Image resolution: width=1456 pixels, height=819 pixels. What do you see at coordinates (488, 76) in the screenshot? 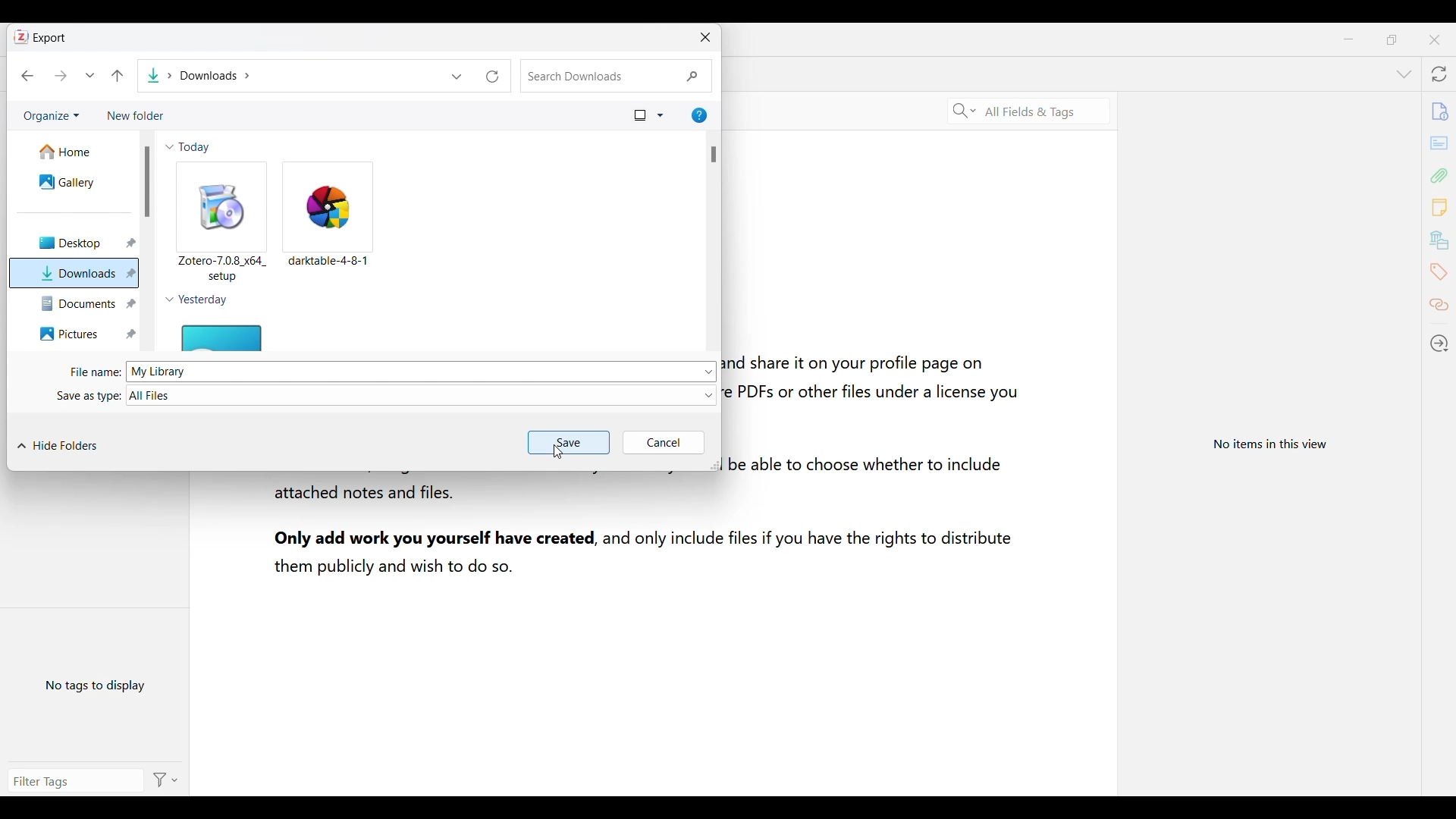
I see `Refresh` at bounding box center [488, 76].